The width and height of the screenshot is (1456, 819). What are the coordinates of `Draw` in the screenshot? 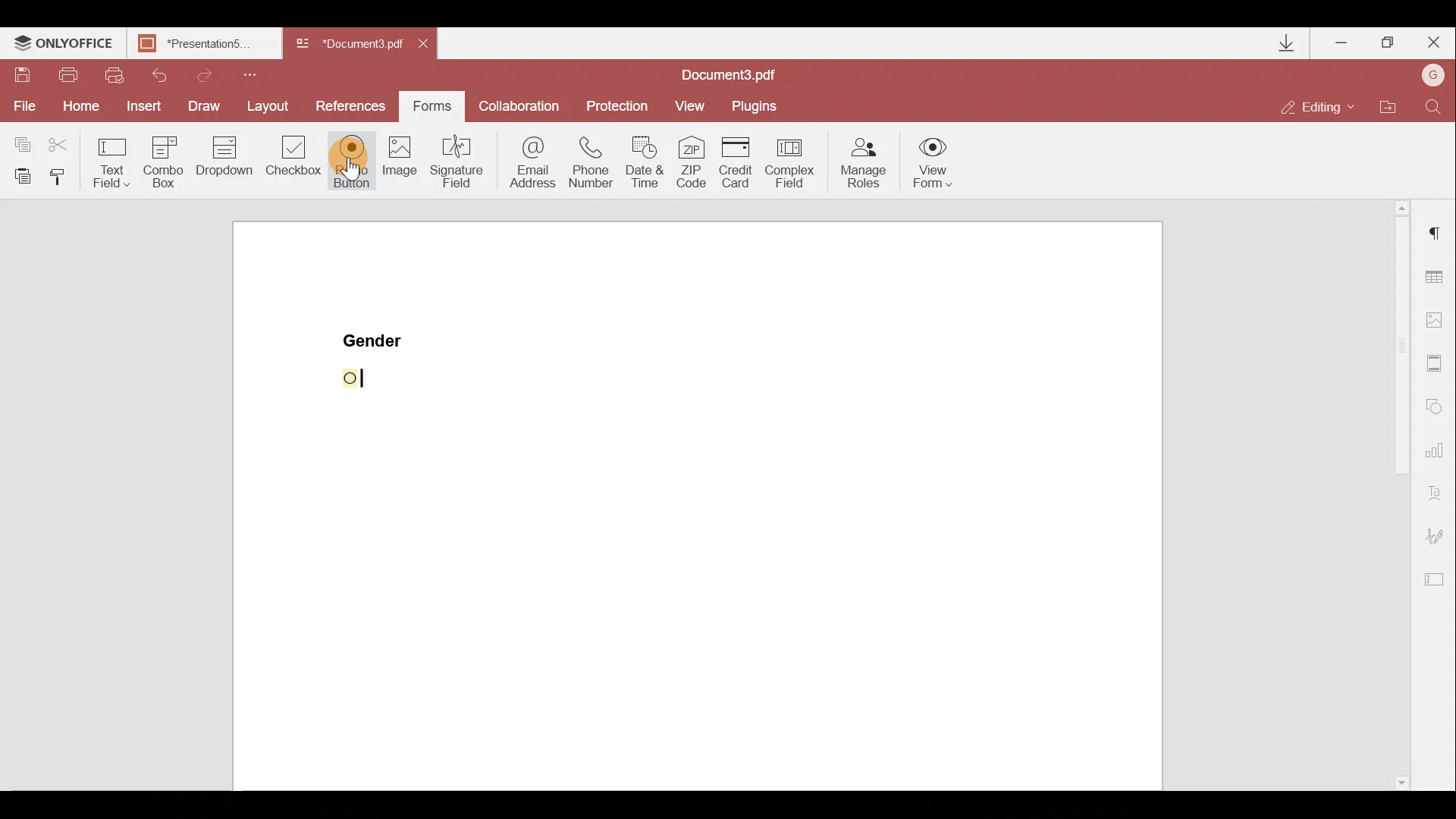 It's located at (204, 105).